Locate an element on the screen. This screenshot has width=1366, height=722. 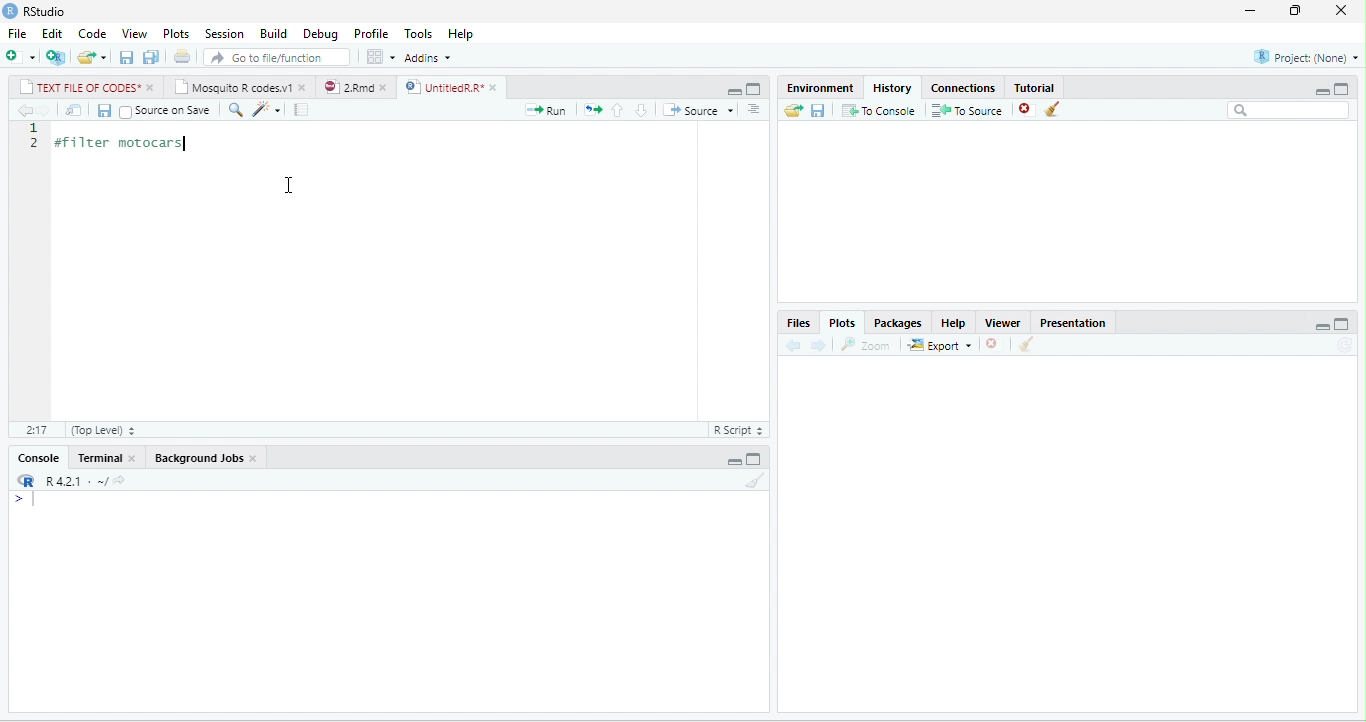
Connections is located at coordinates (963, 88).